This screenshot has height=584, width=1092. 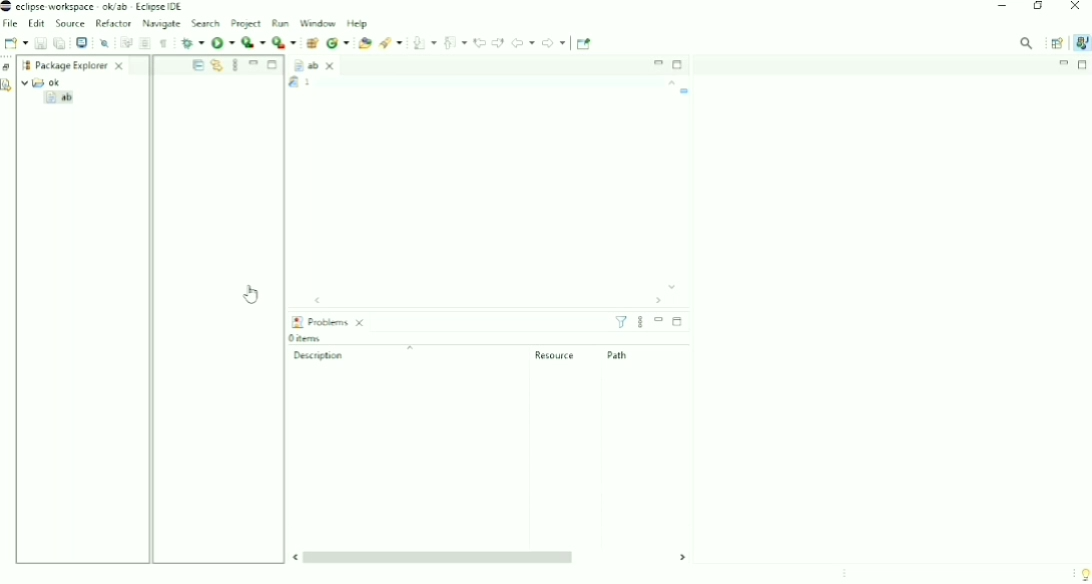 What do you see at coordinates (489, 557) in the screenshot?
I see `Horizontal scrollbar` at bounding box center [489, 557].